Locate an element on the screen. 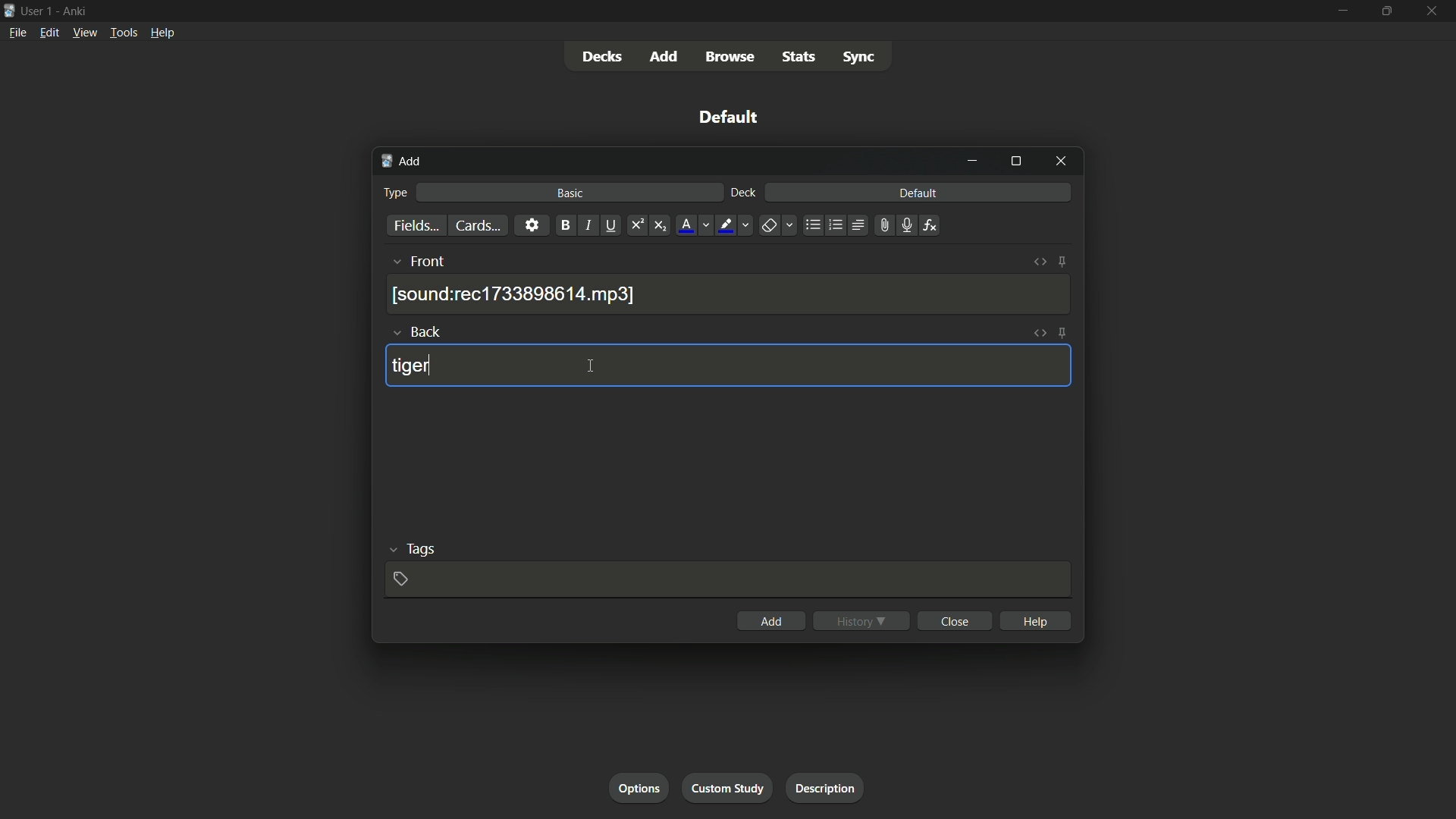  decks is located at coordinates (602, 57).